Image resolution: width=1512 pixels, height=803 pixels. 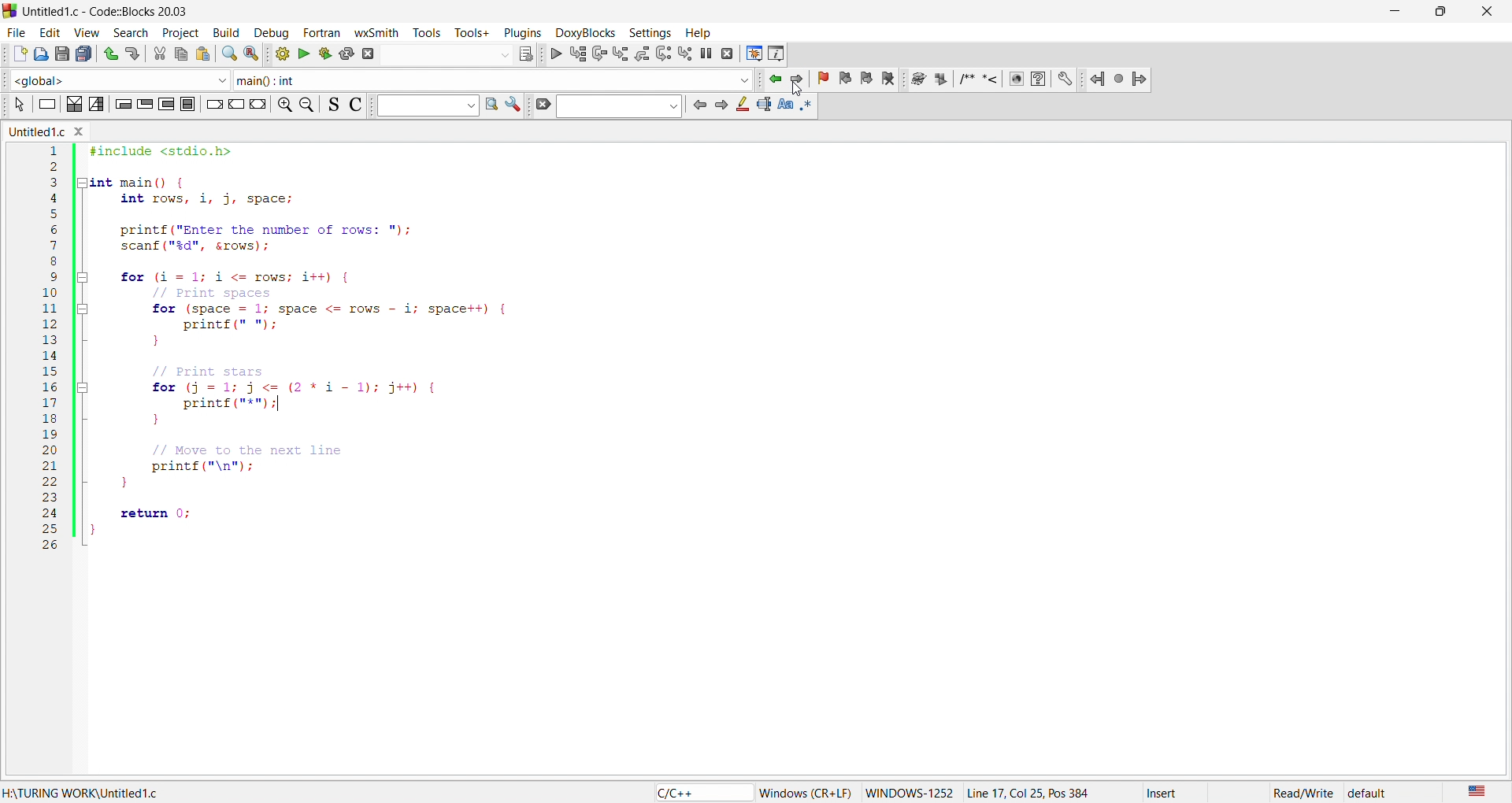 What do you see at coordinates (301, 52) in the screenshot?
I see `run` at bounding box center [301, 52].